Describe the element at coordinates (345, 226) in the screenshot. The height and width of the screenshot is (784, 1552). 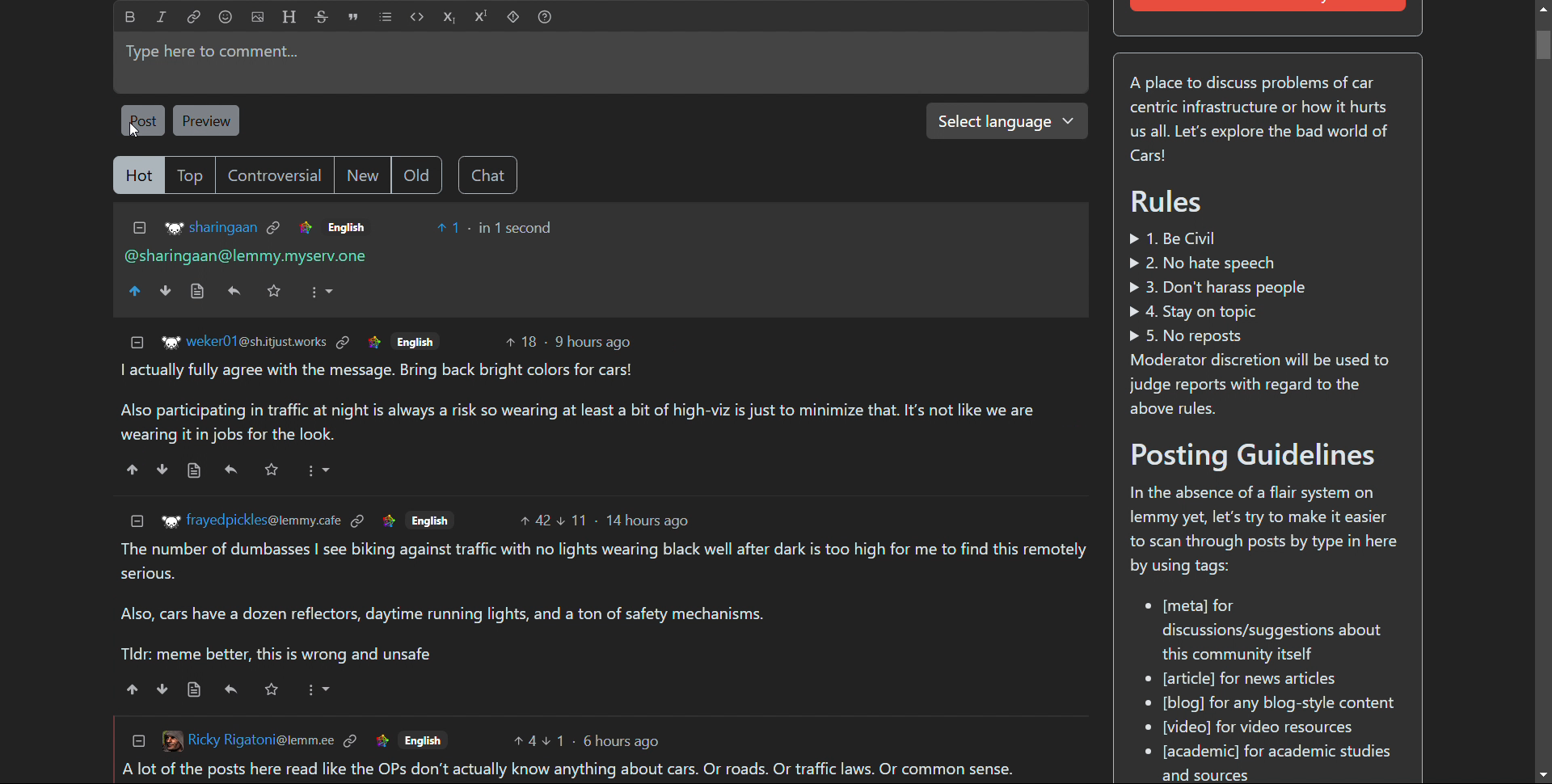
I see `English` at that location.